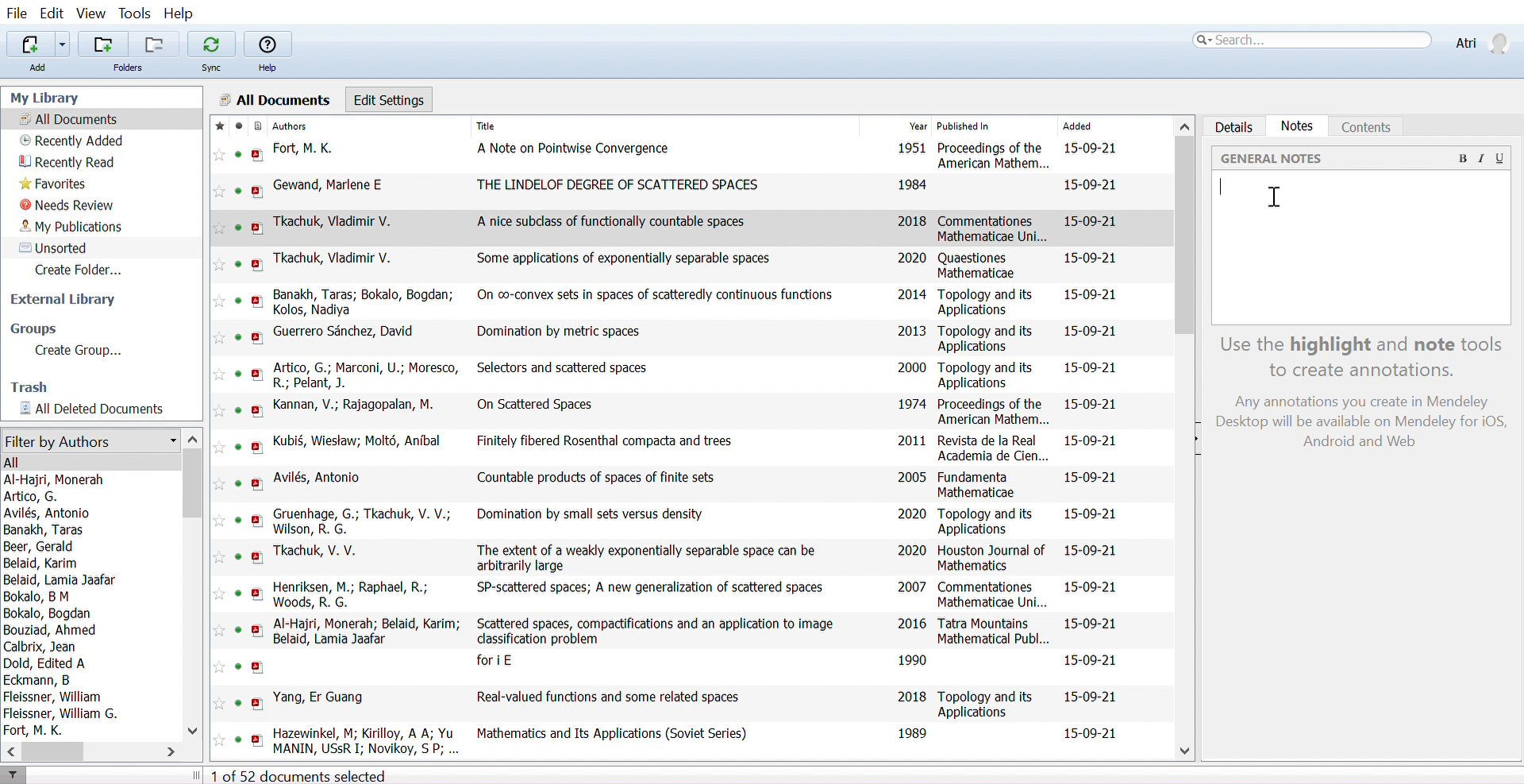 This screenshot has width=1524, height=784. Describe the element at coordinates (55, 14) in the screenshot. I see `Edit` at that location.